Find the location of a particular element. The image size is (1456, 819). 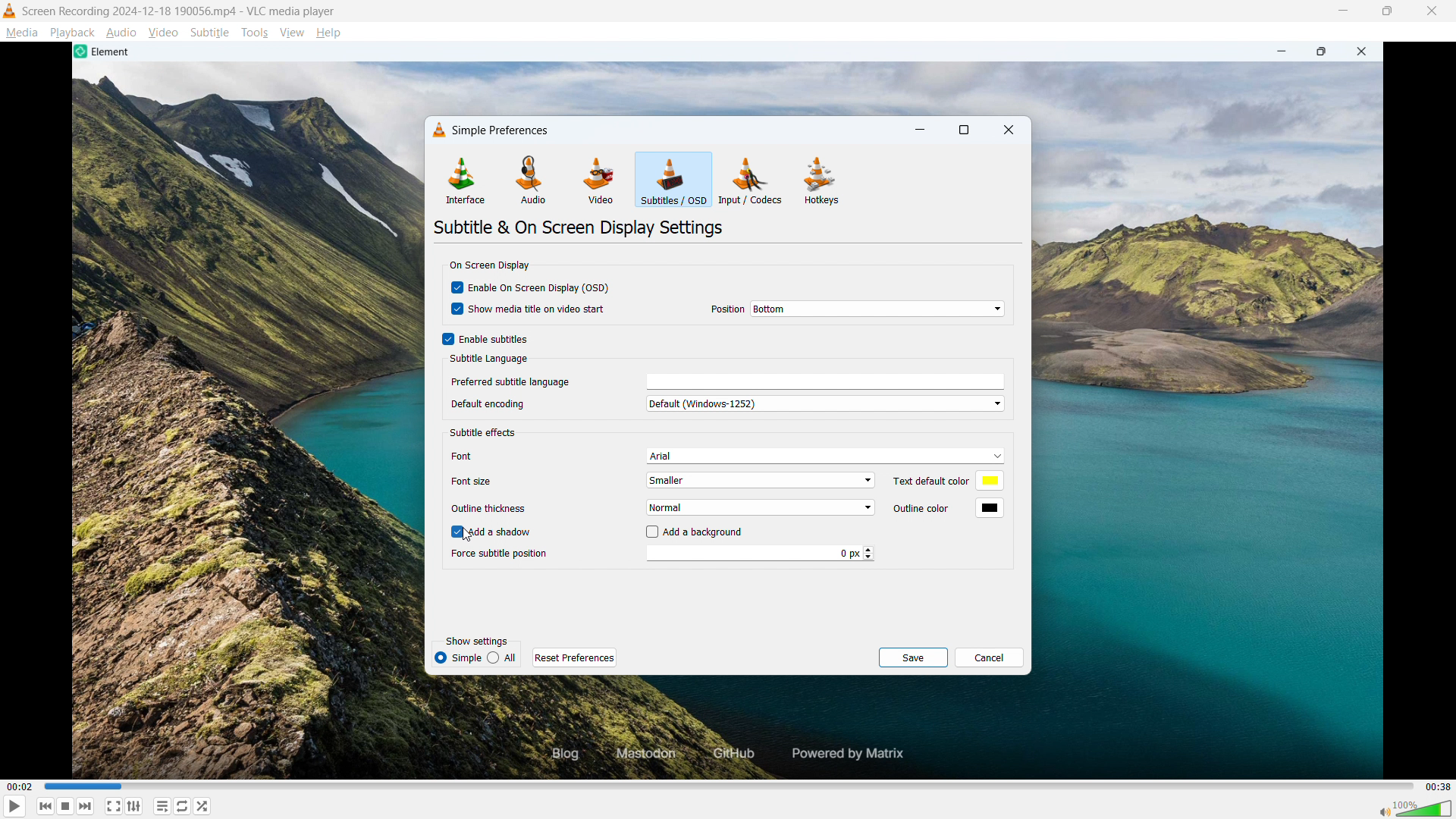

close dialogue box is located at coordinates (1009, 129).